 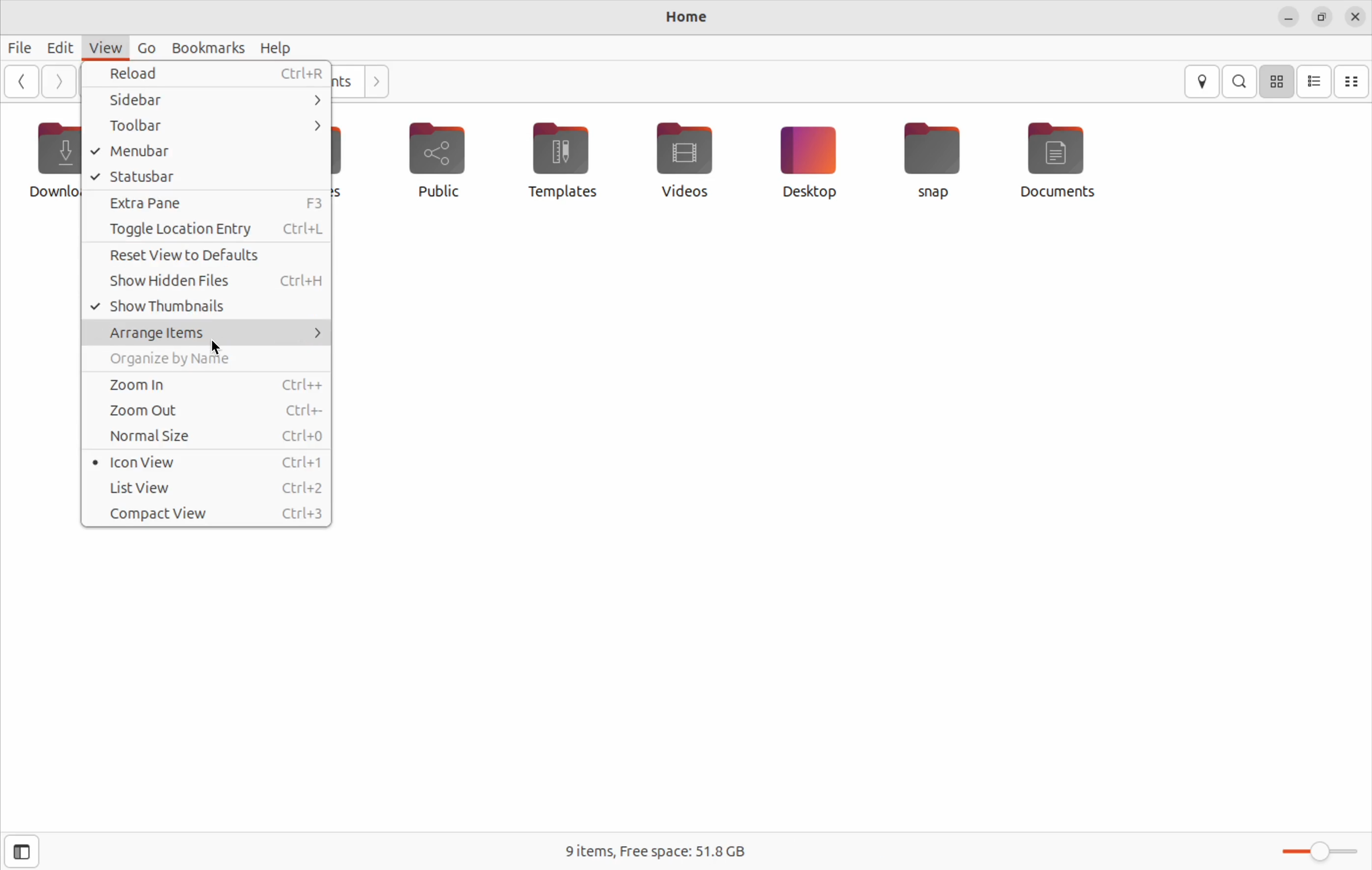 I want to click on compact view, so click(x=210, y=515).